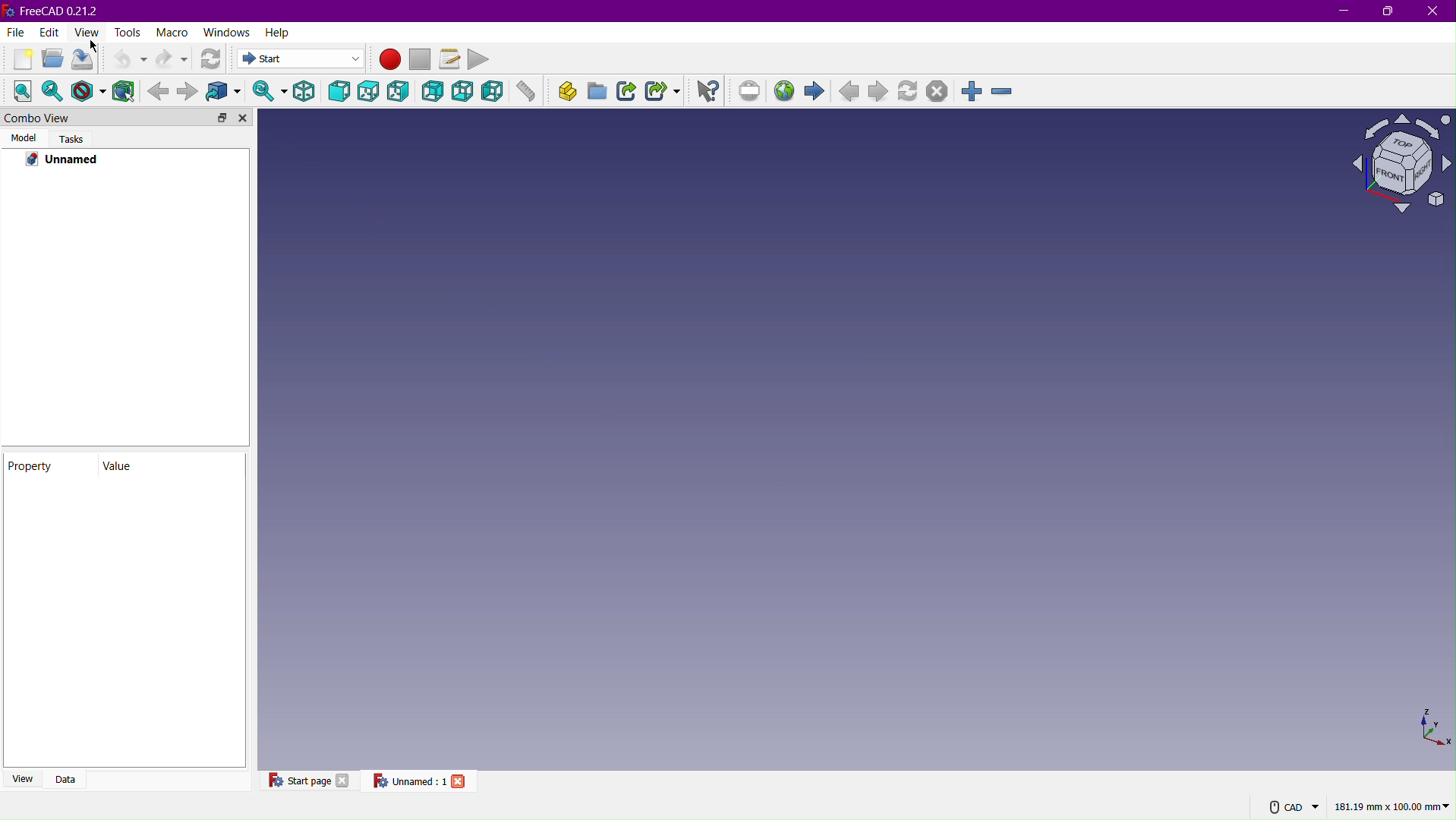  What do you see at coordinates (229, 33) in the screenshot?
I see `Windows` at bounding box center [229, 33].